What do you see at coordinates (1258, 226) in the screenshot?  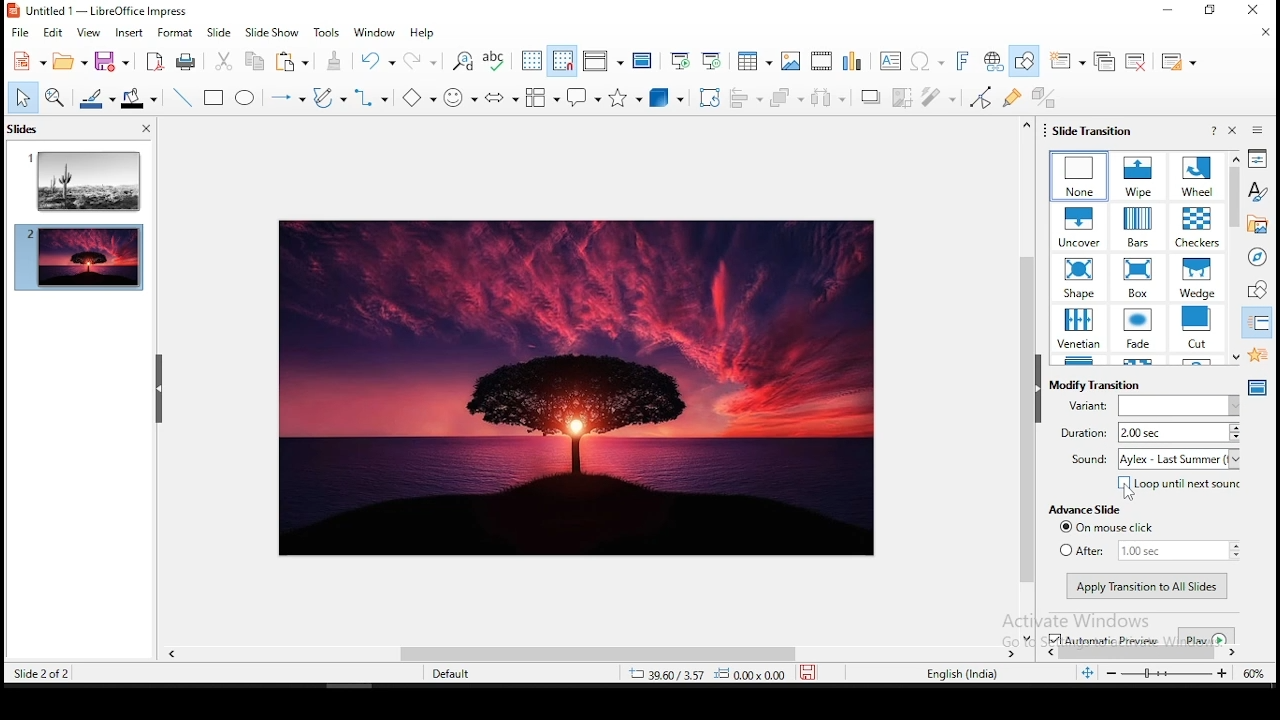 I see `gallery` at bounding box center [1258, 226].